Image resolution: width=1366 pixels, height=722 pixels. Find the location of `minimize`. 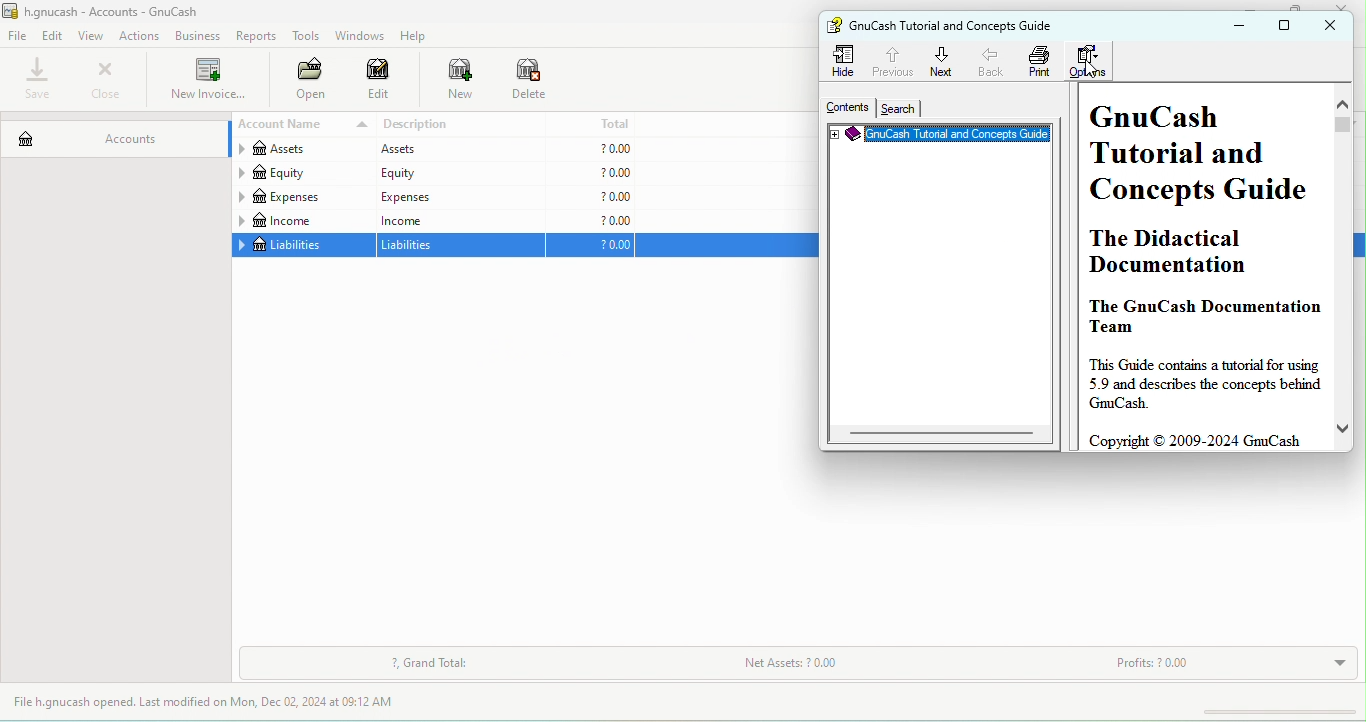

minimize is located at coordinates (1235, 26).